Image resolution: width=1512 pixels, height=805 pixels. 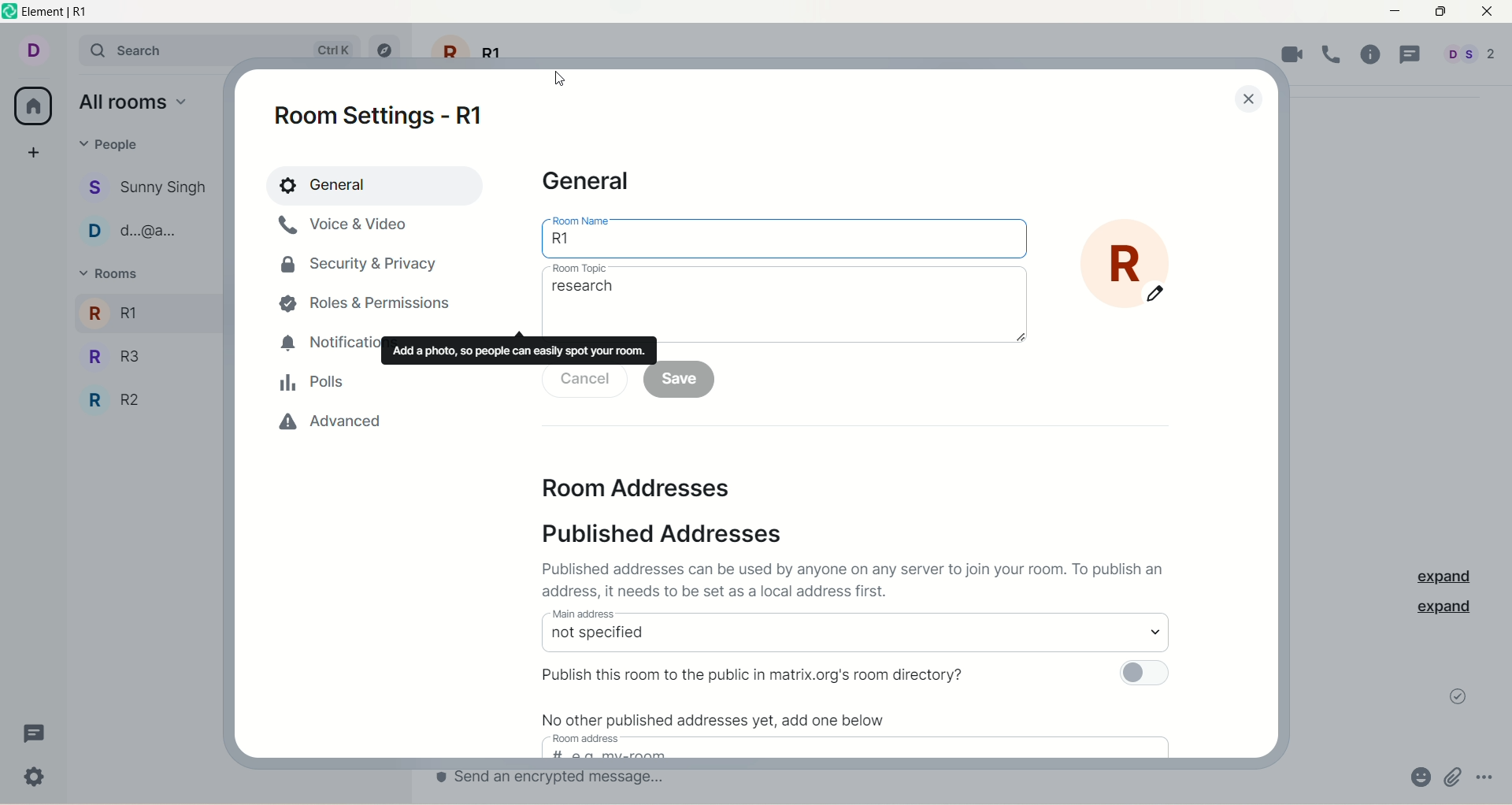 What do you see at coordinates (355, 225) in the screenshot?
I see `voice & video` at bounding box center [355, 225].